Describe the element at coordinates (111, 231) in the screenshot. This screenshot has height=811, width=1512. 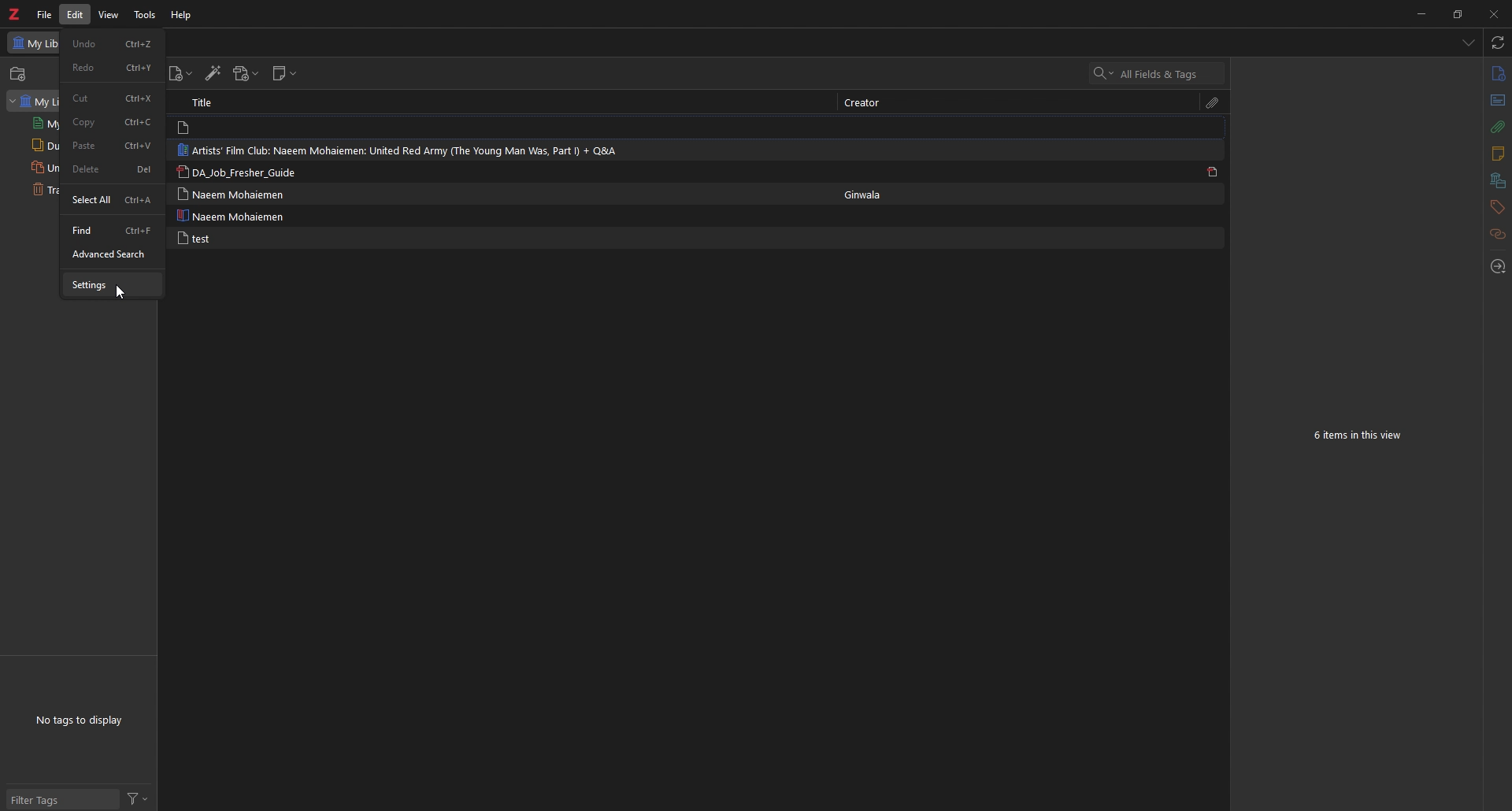
I see `Find ctrl+F` at that location.